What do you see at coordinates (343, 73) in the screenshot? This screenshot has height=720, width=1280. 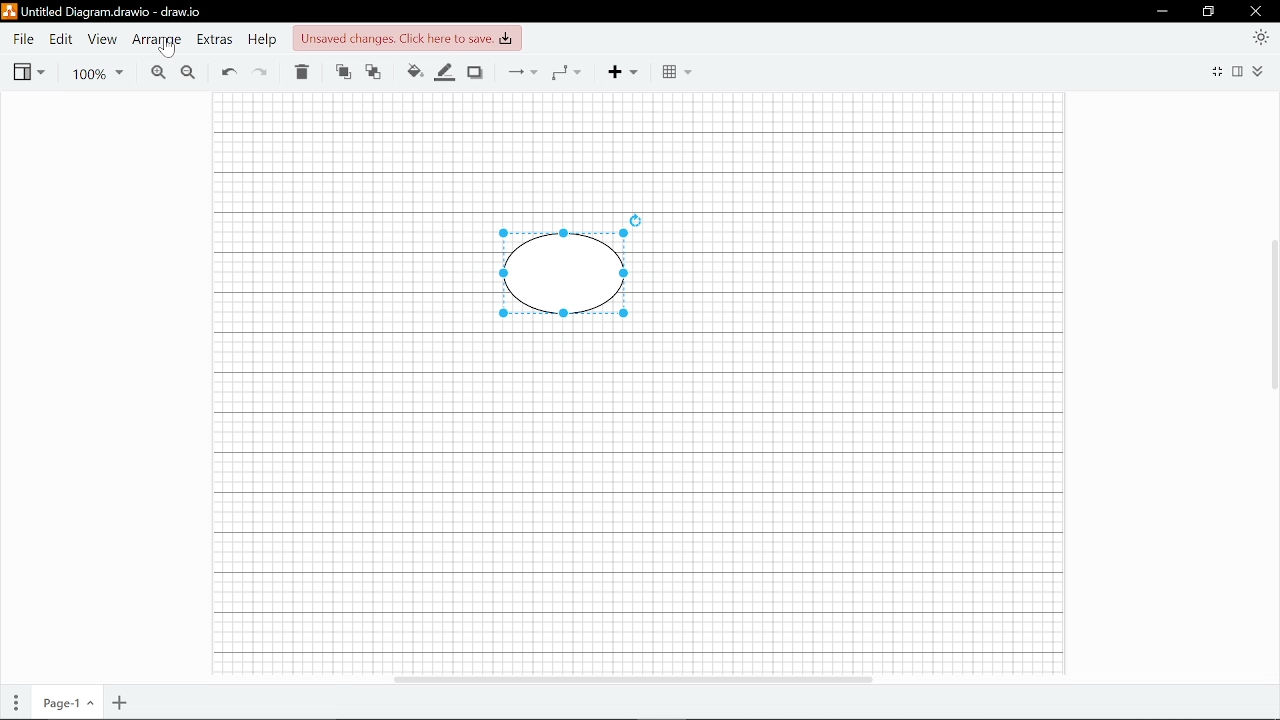 I see `To front` at bounding box center [343, 73].